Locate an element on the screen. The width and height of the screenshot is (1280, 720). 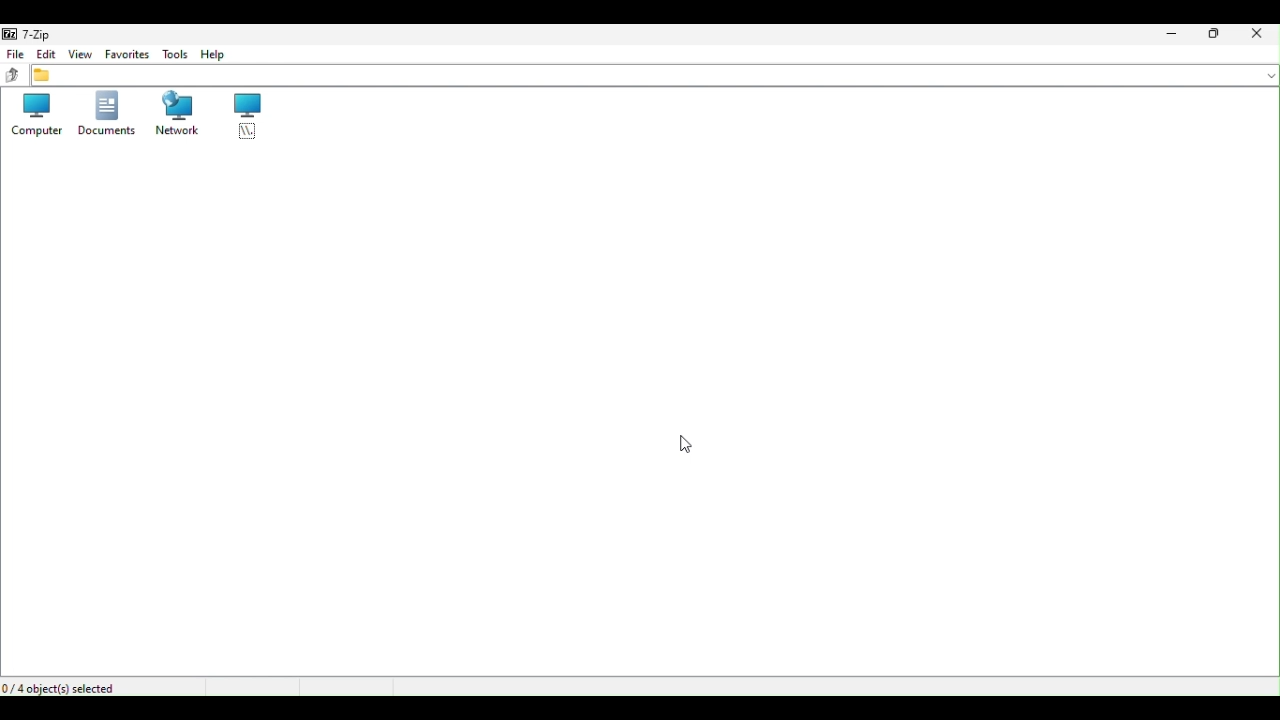
Computer is located at coordinates (30, 115).